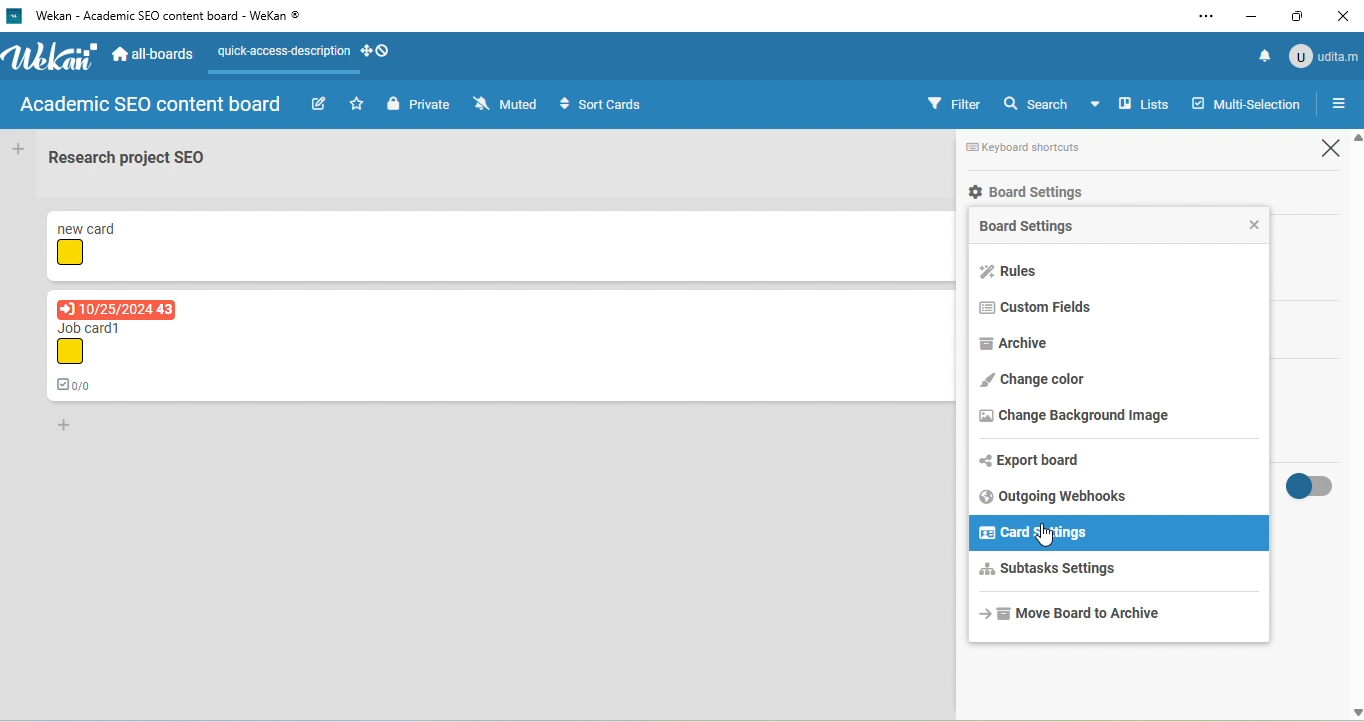  What do you see at coordinates (1355, 135) in the screenshot?
I see `scroll up` at bounding box center [1355, 135].